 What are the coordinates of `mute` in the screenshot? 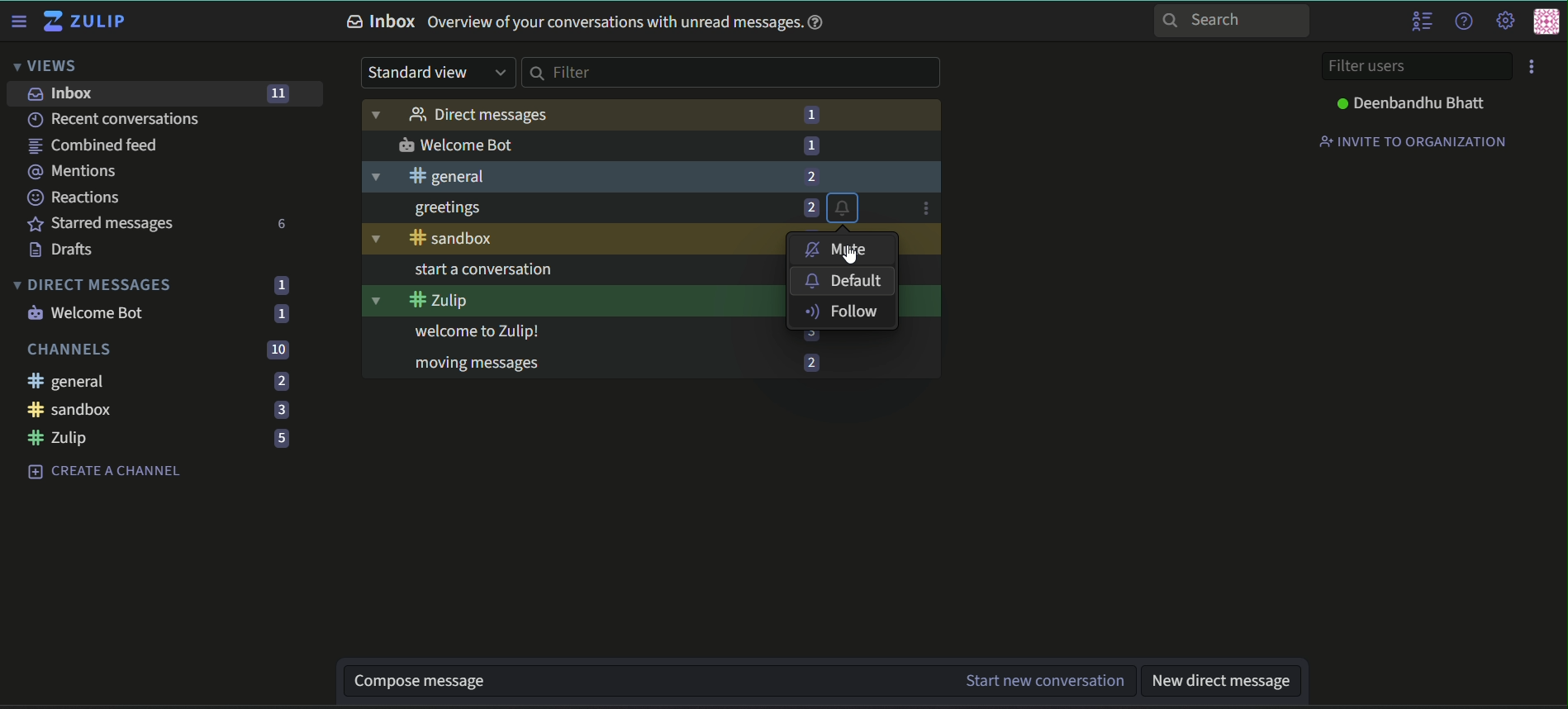 It's located at (845, 246).